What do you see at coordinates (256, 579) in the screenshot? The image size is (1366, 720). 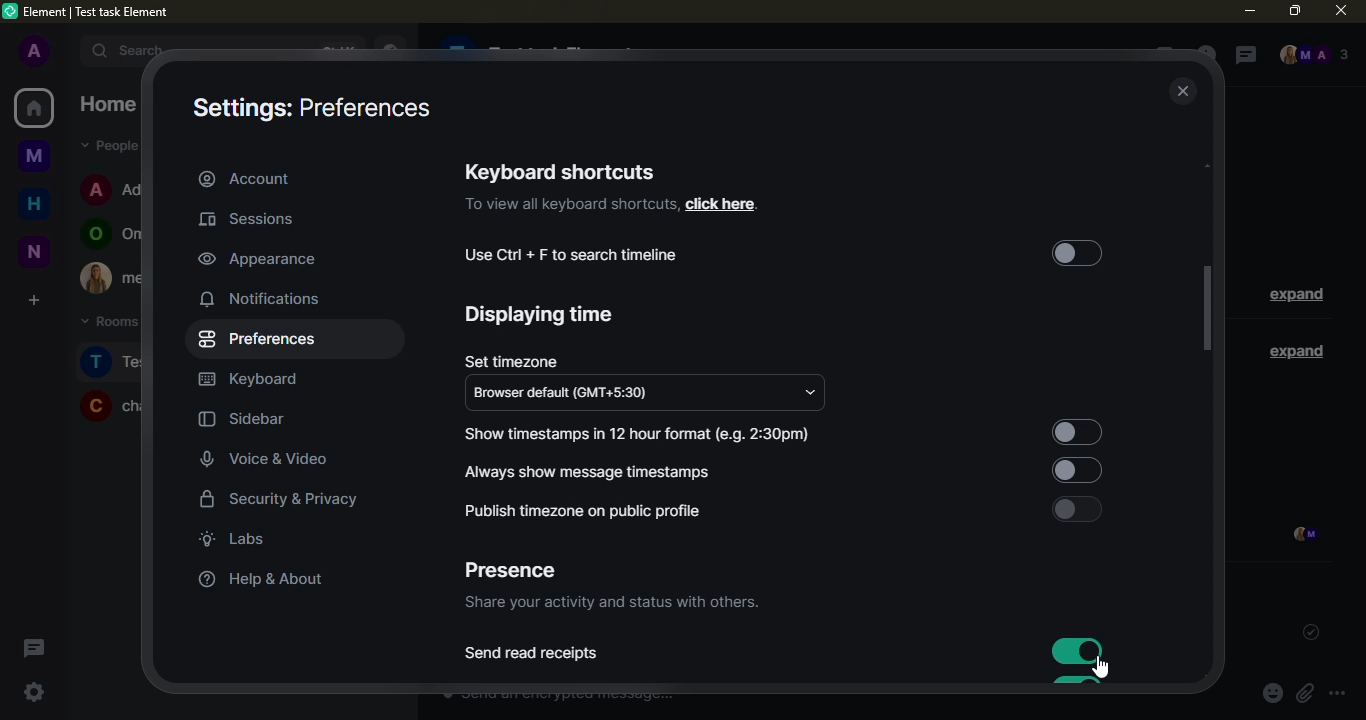 I see `help` at bounding box center [256, 579].